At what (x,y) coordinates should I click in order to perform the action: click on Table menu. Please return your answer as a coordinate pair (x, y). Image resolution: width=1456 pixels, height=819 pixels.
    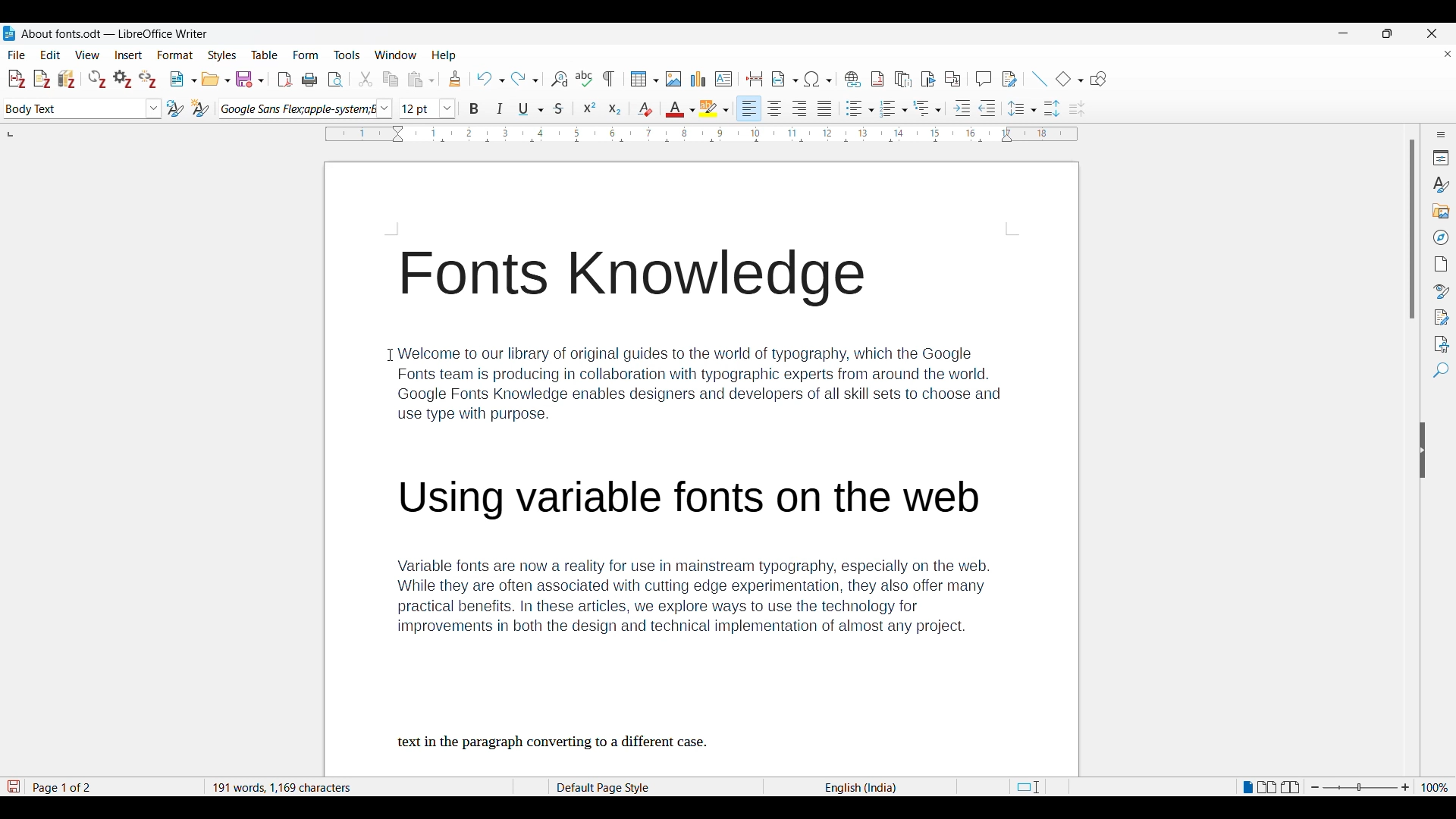
    Looking at the image, I should click on (265, 55).